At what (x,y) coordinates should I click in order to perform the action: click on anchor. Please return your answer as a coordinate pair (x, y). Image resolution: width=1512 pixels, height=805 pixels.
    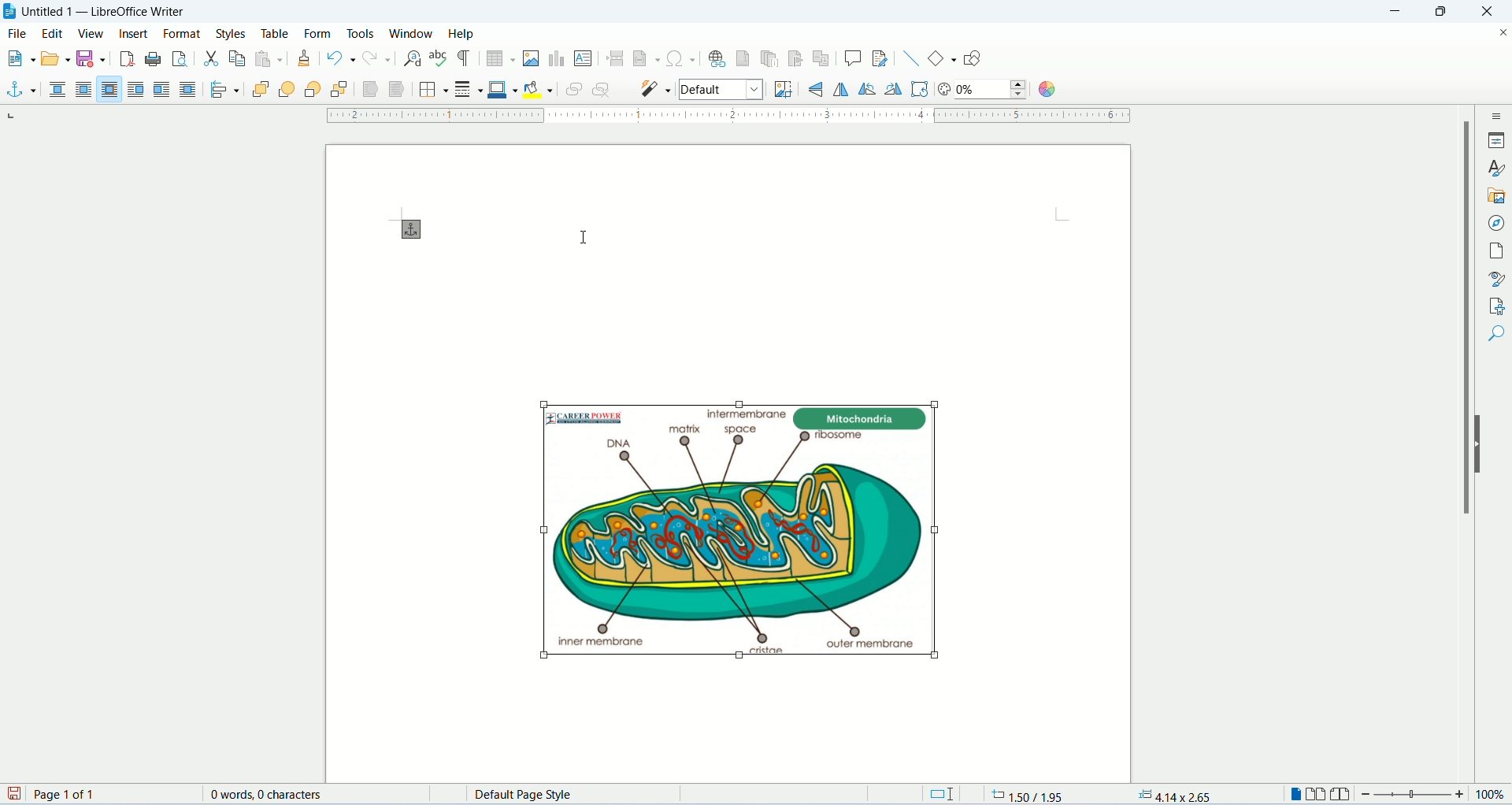
    Looking at the image, I should click on (20, 91).